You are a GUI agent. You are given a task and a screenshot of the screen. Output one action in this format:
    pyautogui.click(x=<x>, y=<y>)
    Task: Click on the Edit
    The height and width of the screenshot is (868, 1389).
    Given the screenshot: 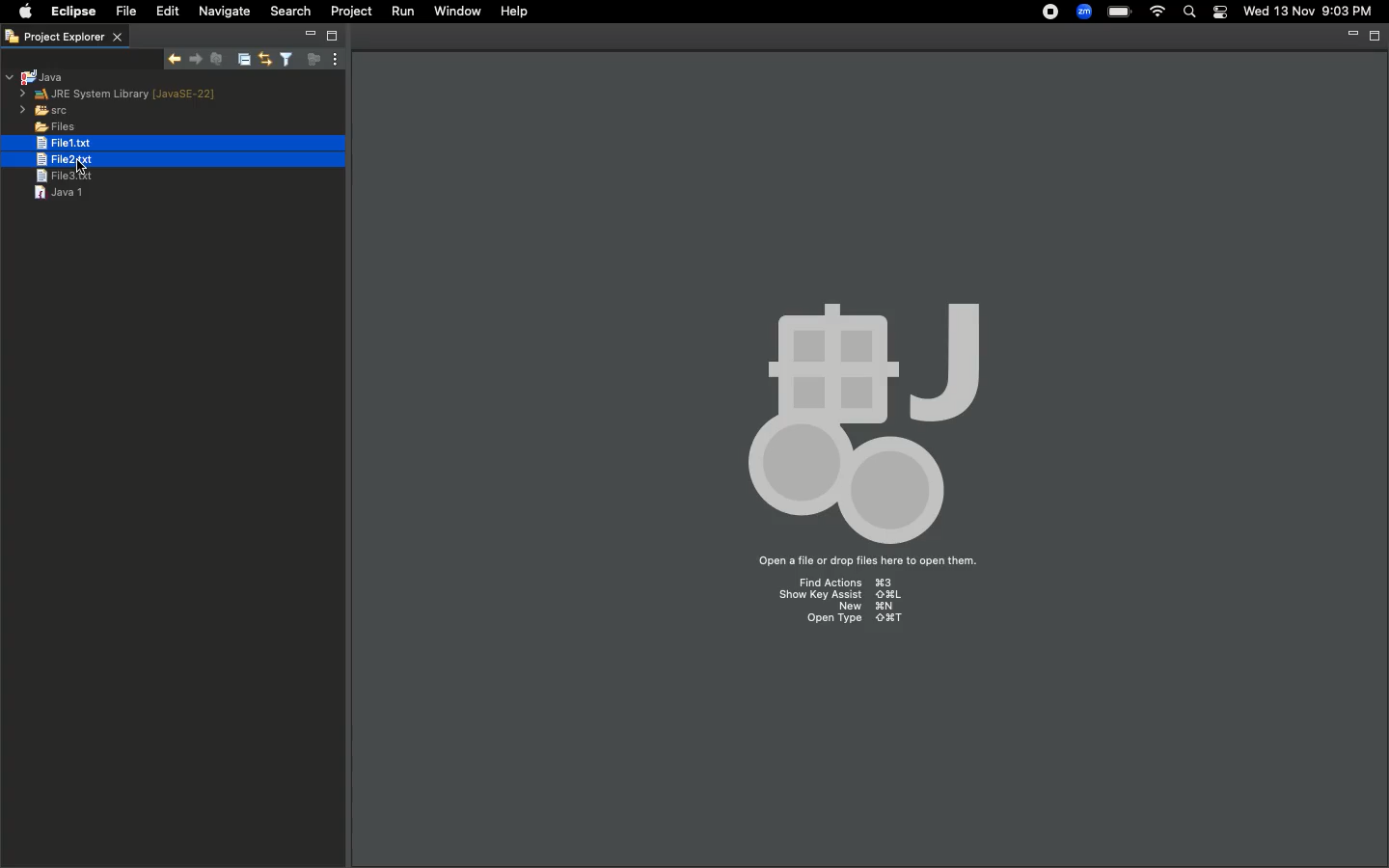 What is the action you would take?
    pyautogui.click(x=164, y=11)
    